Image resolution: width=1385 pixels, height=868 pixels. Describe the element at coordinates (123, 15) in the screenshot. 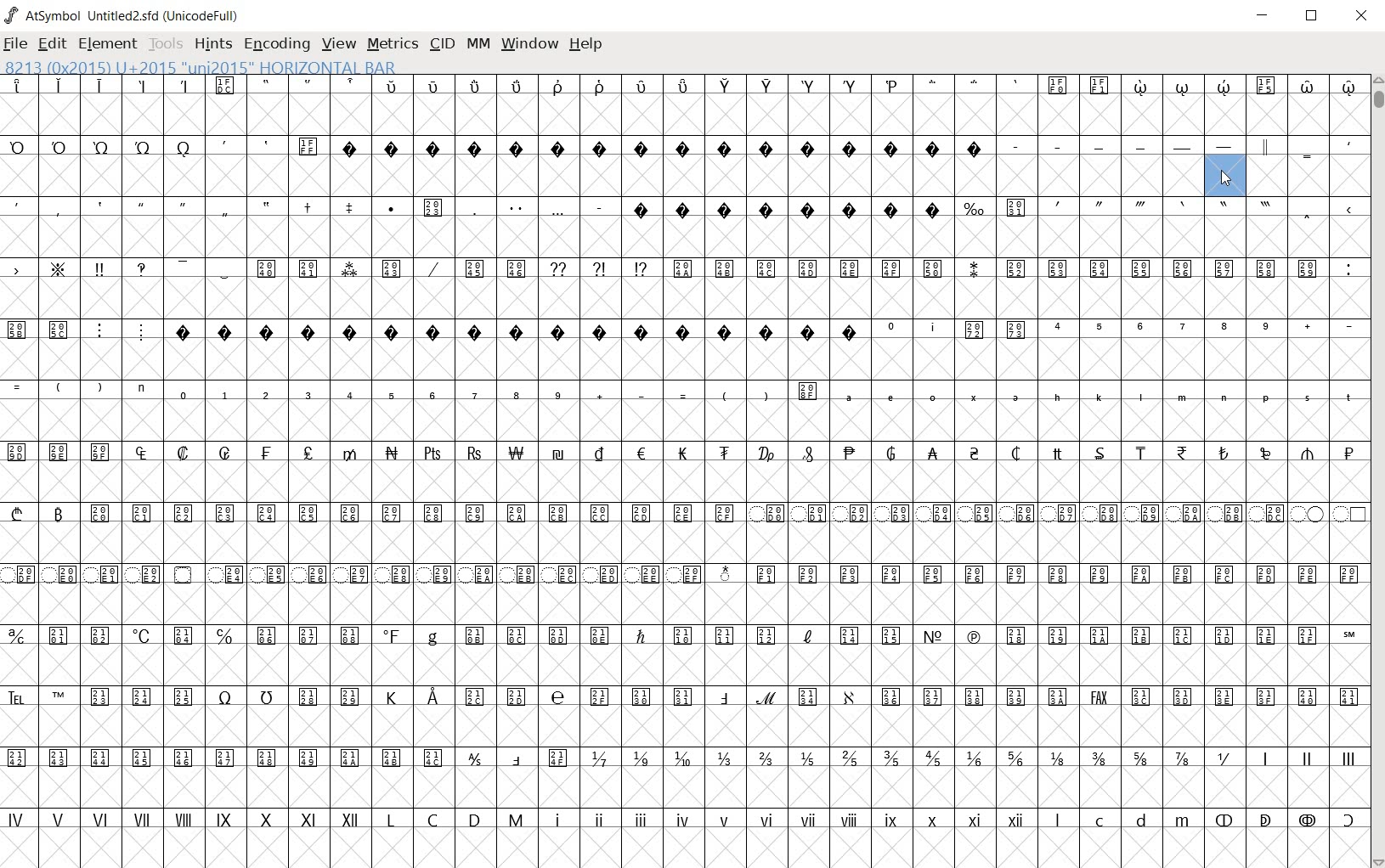

I see `AtSymbol  Untitled2.sfd (UnicodeFull)` at that location.